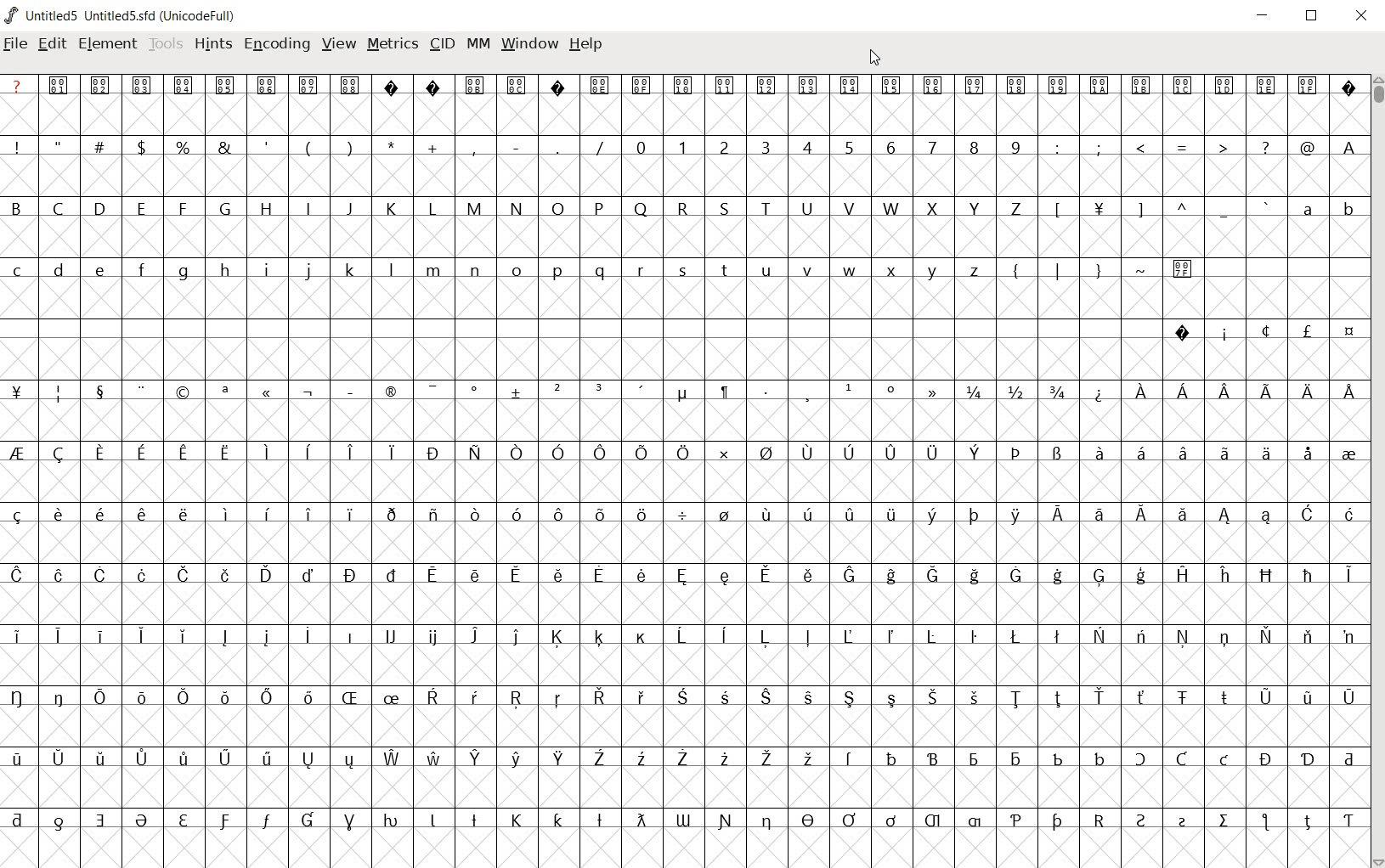 The height and width of the screenshot is (868, 1385). What do you see at coordinates (1055, 146) in the screenshot?
I see `:` at bounding box center [1055, 146].